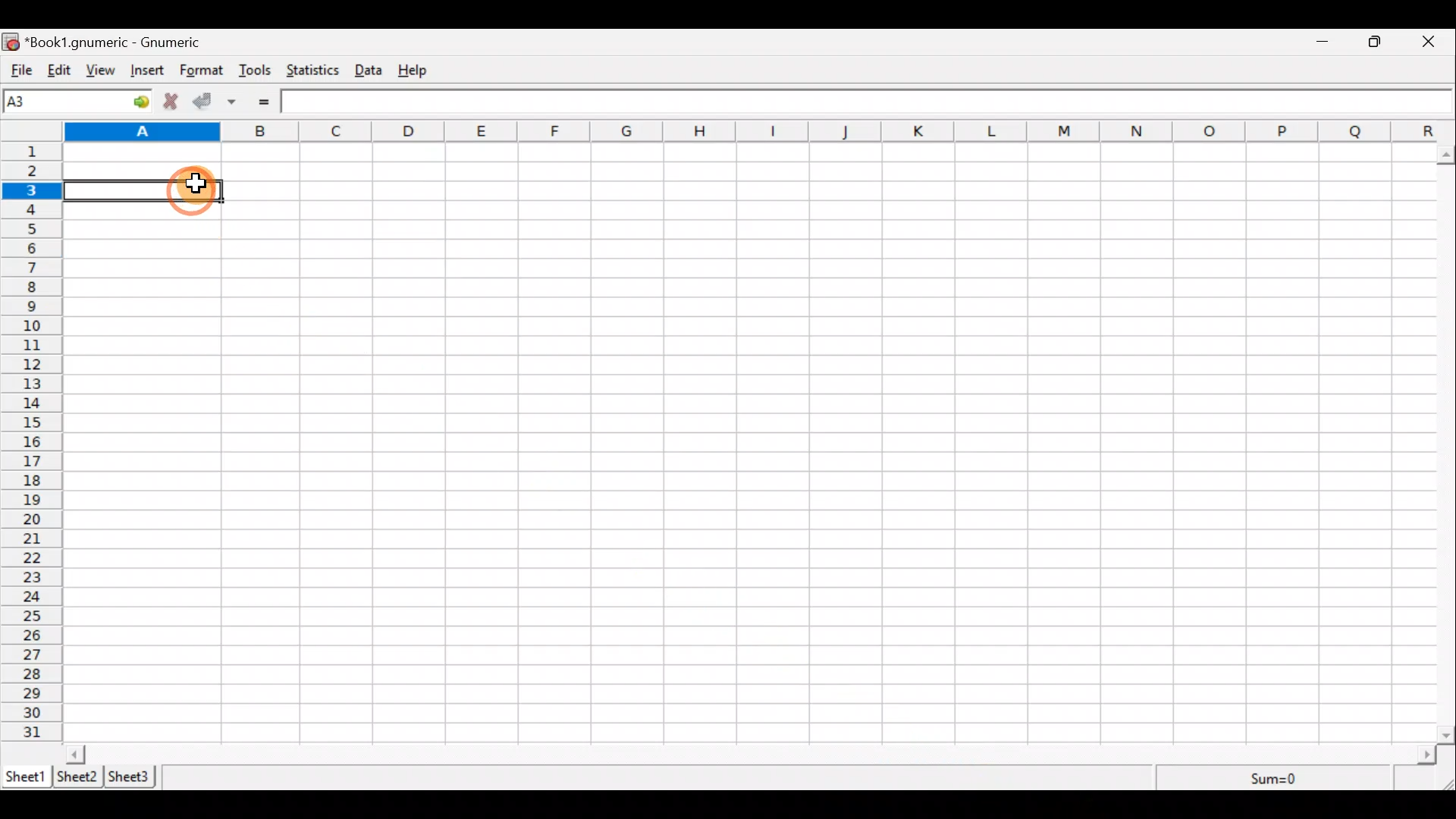 This screenshot has height=819, width=1456. What do you see at coordinates (256, 71) in the screenshot?
I see `Tools` at bounding box center [256, 71].